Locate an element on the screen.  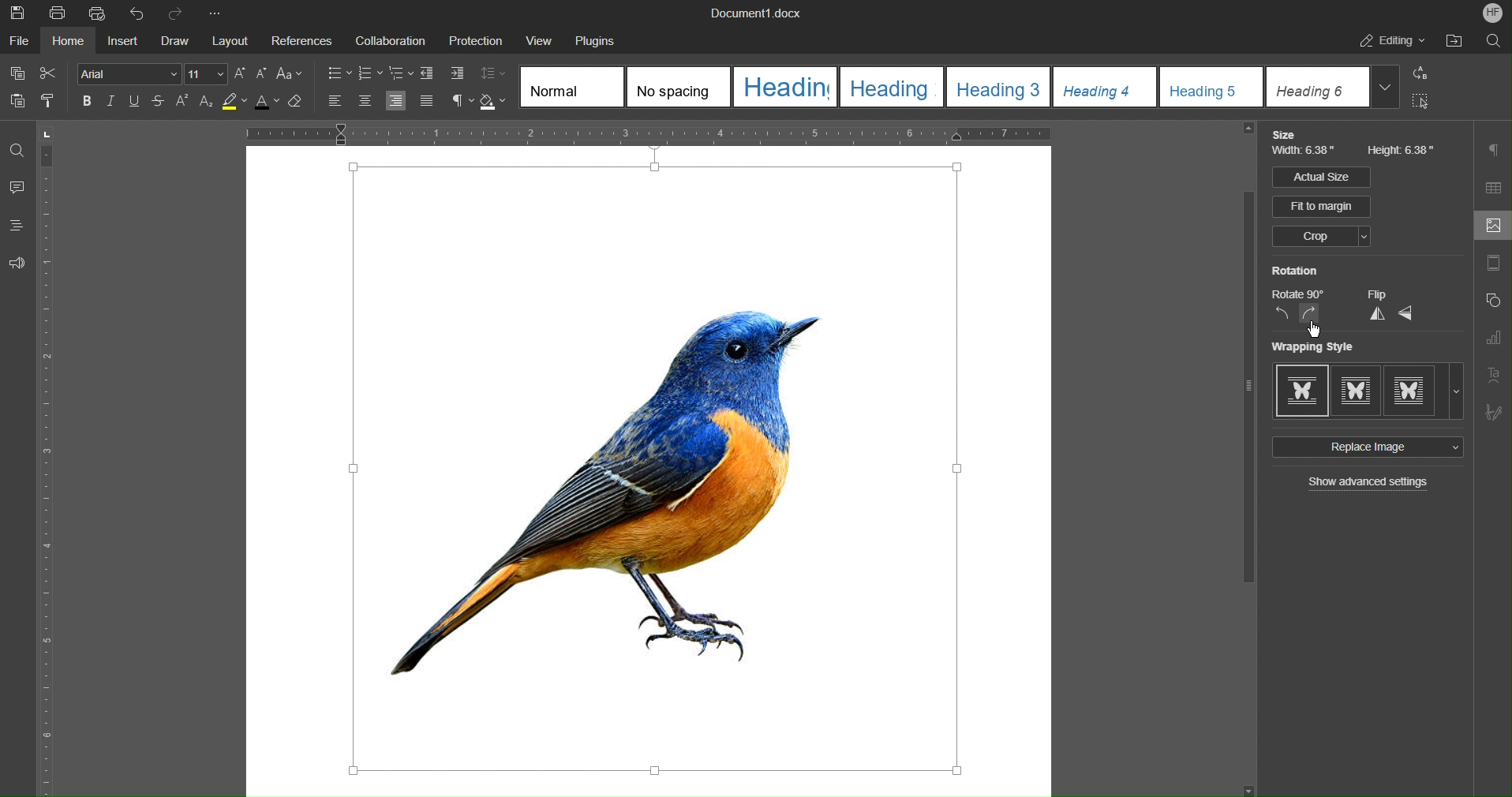
Size is located at coordinates (206, 73).